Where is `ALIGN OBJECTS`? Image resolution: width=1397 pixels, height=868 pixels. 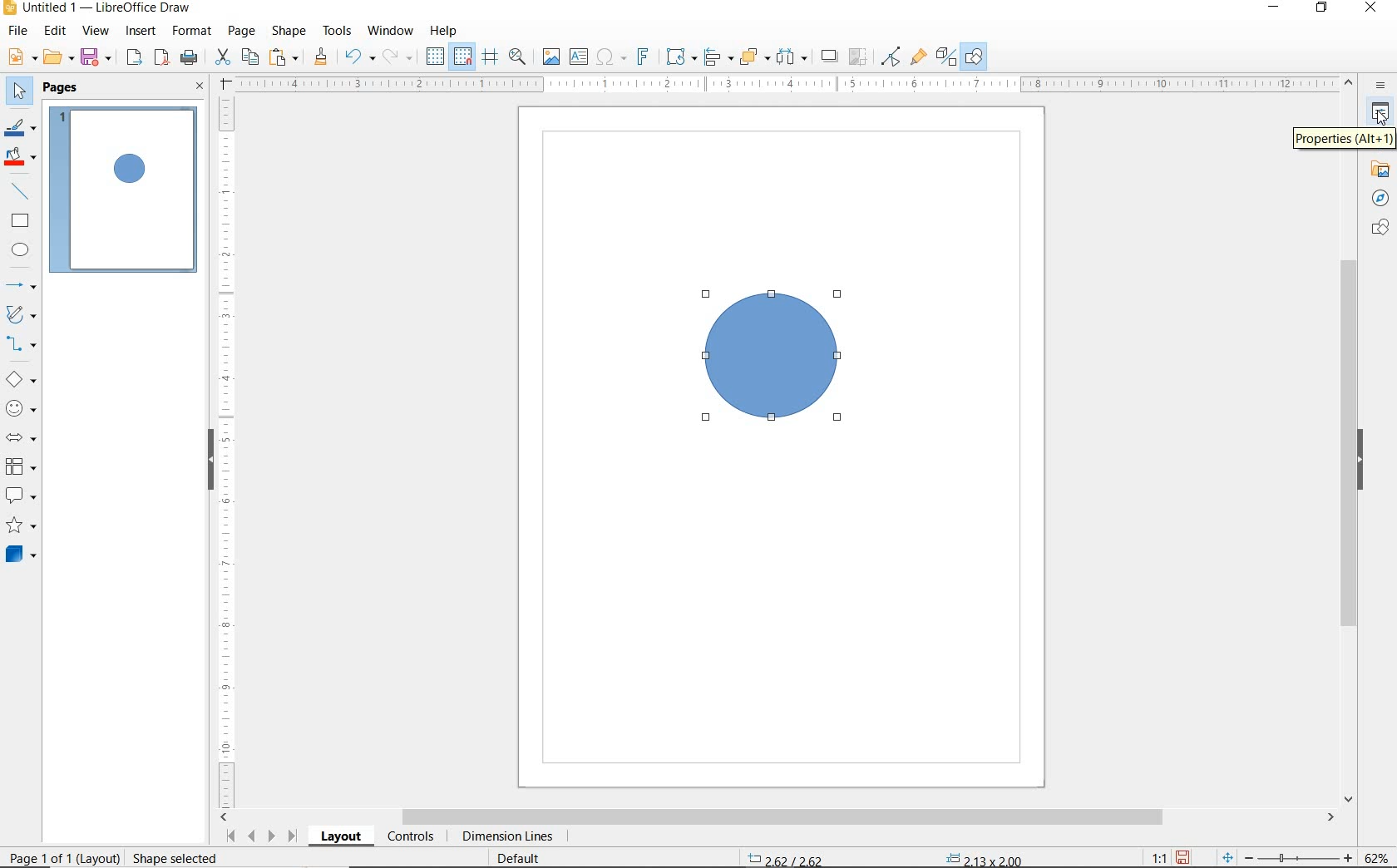
ALIGN OBJECTS is located at coordinates (718, 56).